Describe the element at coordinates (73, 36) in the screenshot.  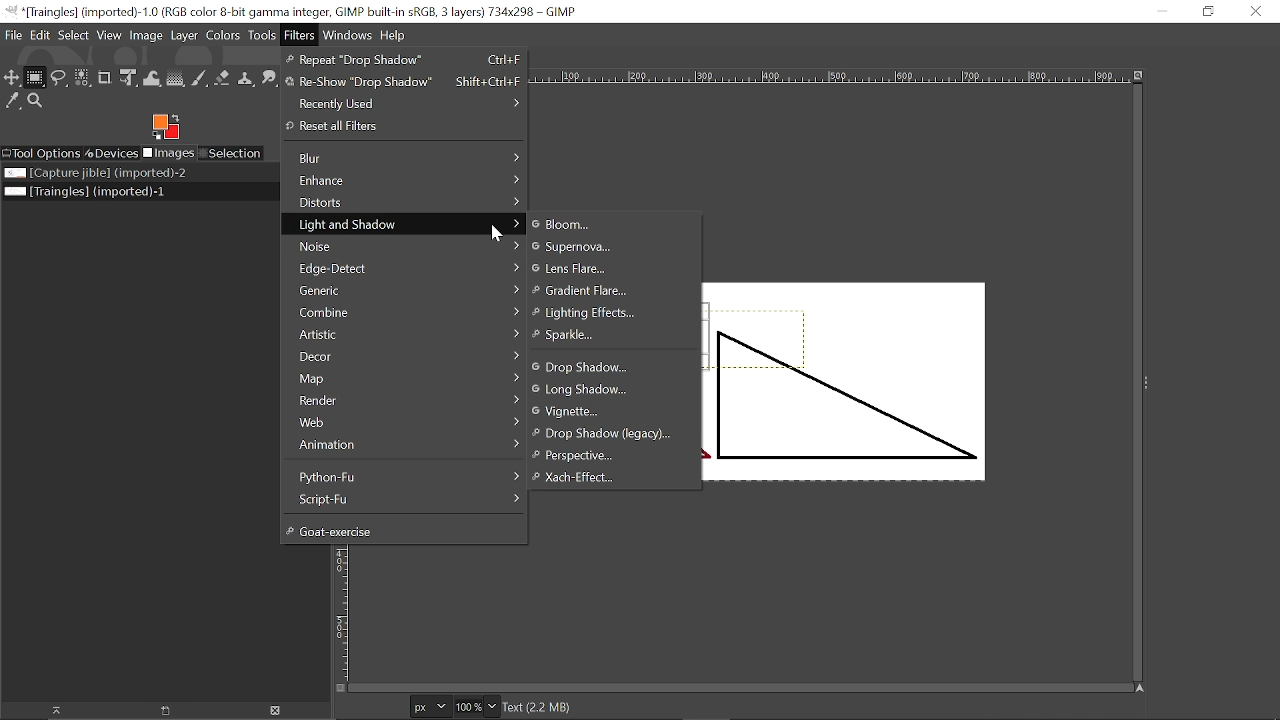
I see `Select` at that location.